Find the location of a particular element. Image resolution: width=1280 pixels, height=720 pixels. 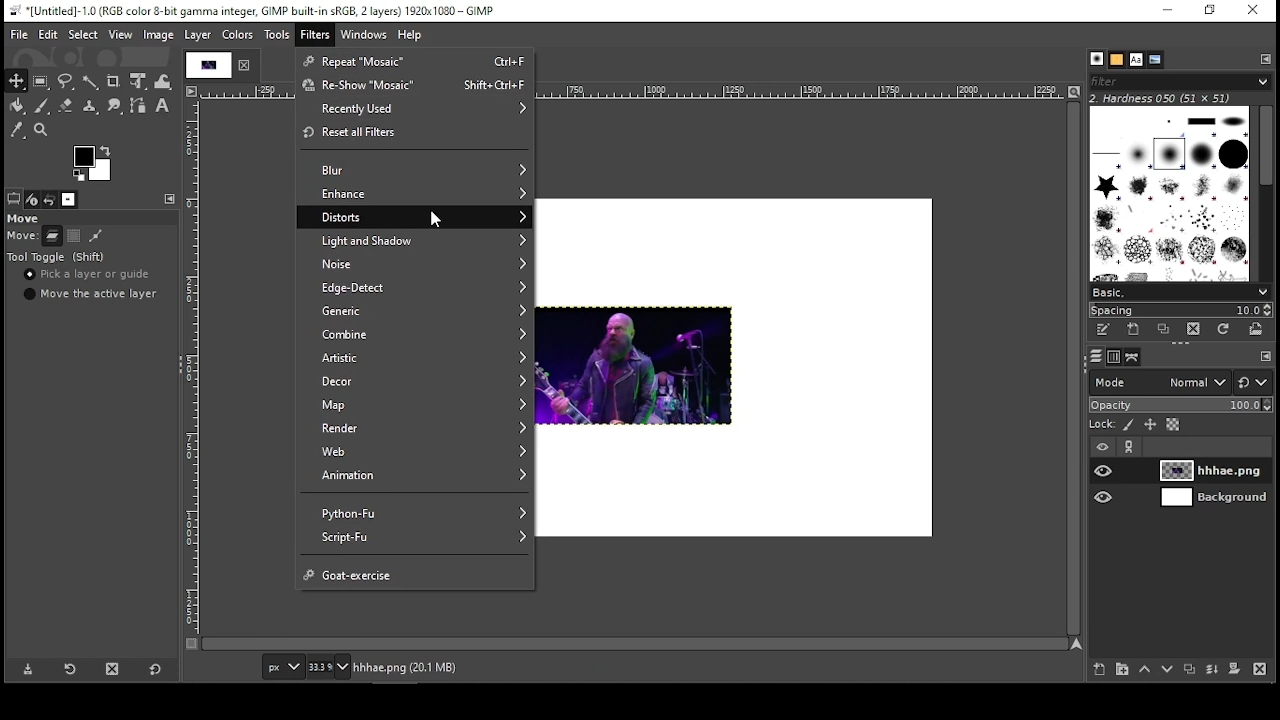

tools is located at coordinates (278, 37).